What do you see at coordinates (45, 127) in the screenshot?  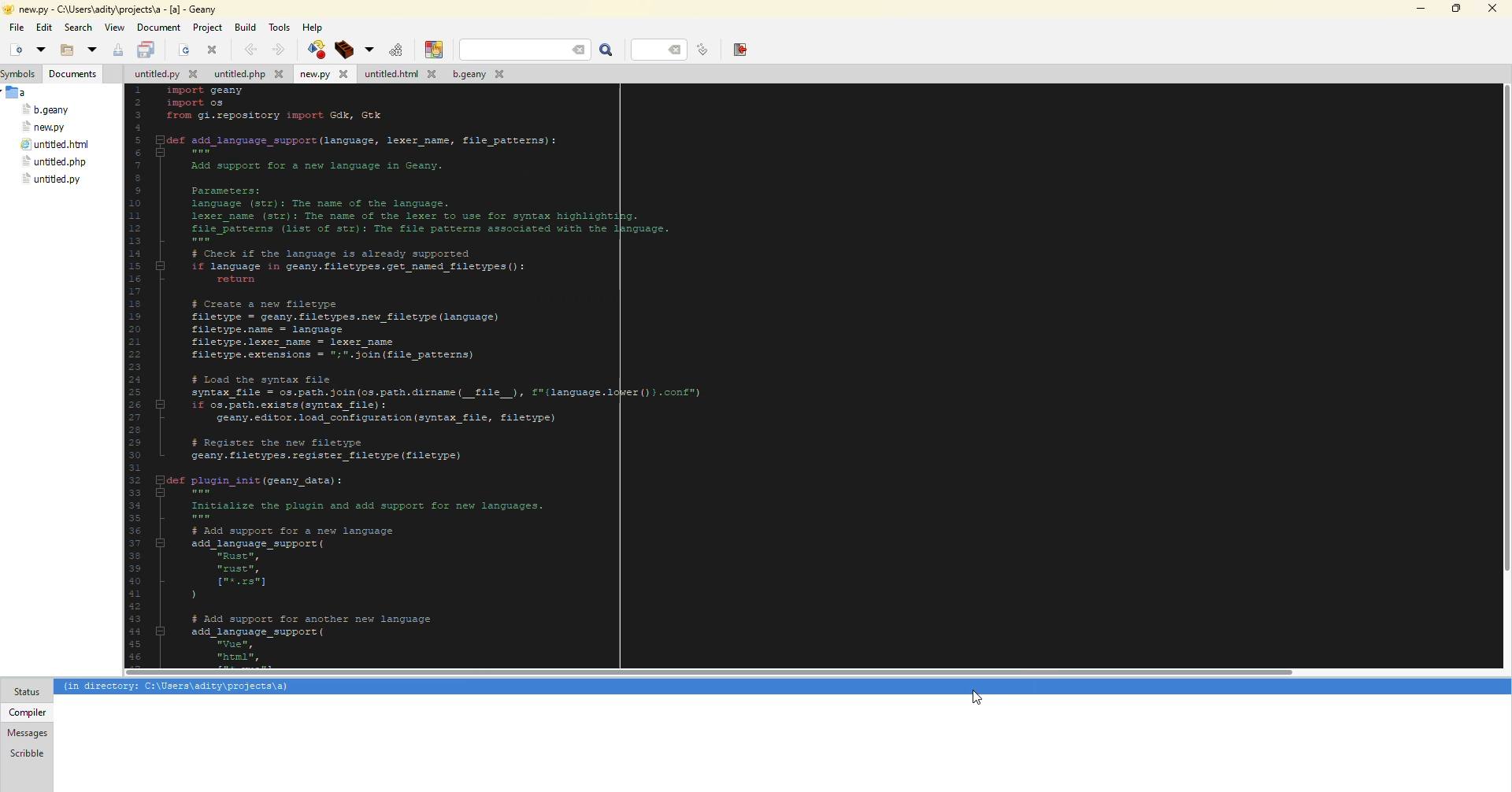 I see `file` at bounding box center [45, 127].